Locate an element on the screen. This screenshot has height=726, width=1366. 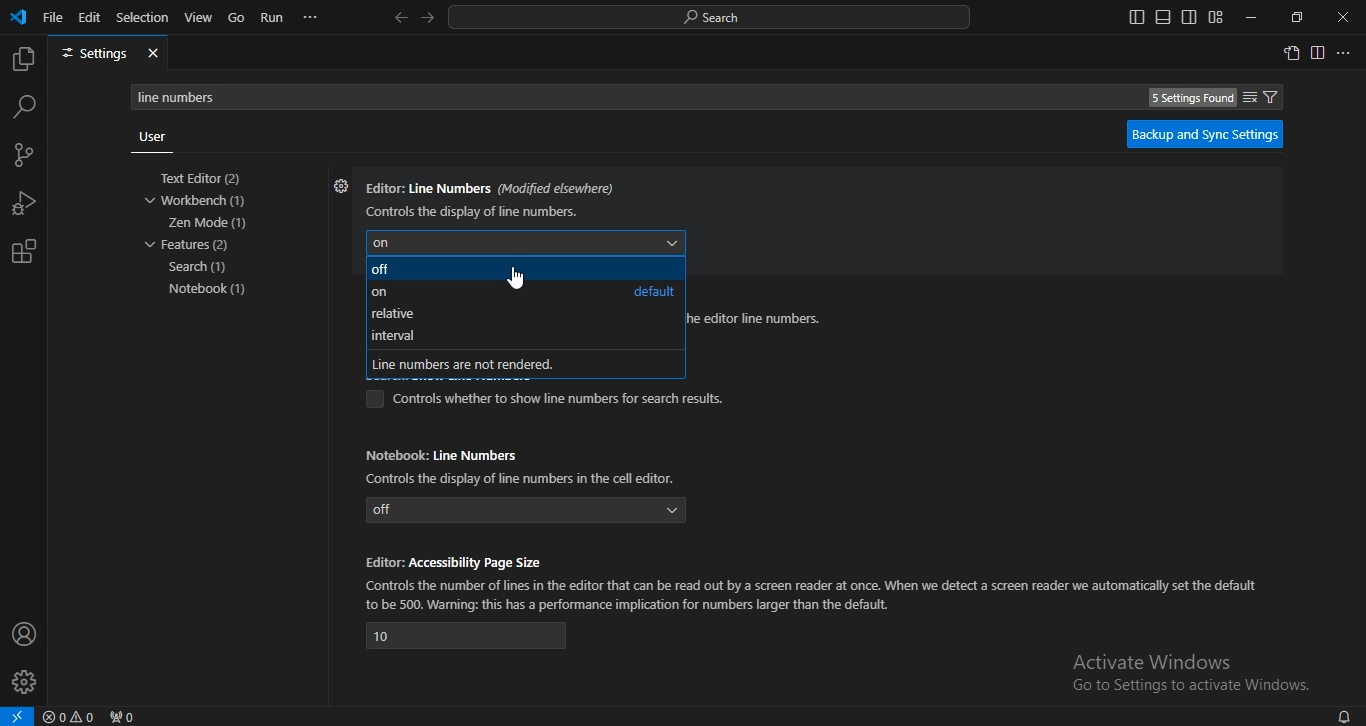
Editor: Line Numbers (Modified elsewhere)
Controls the display of line numbers. is located at coordinates (492, 197).